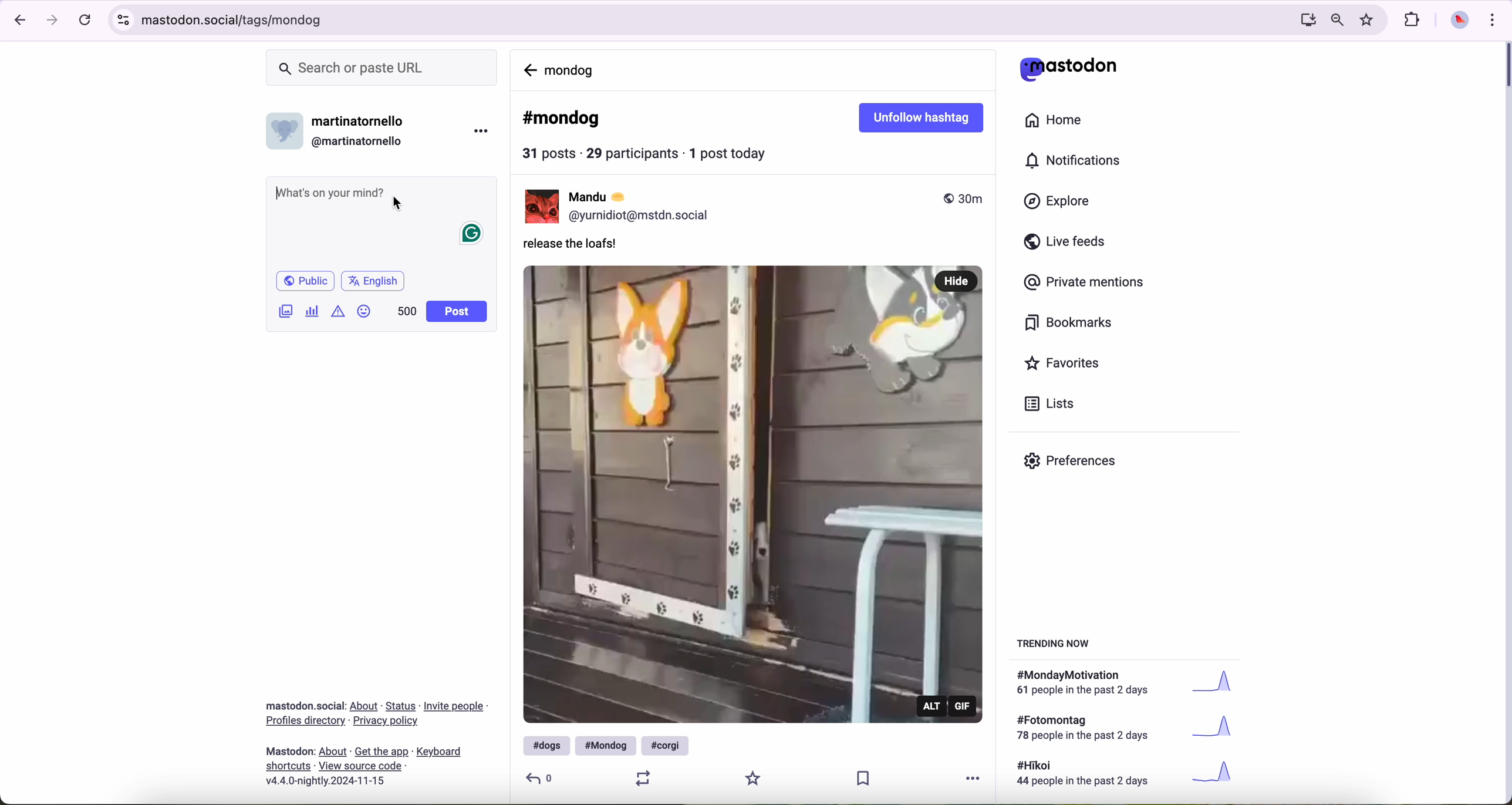  What do you see at coordinates (401, 707) in the screenshot?
I see `link` at bounding box center [401, 707].